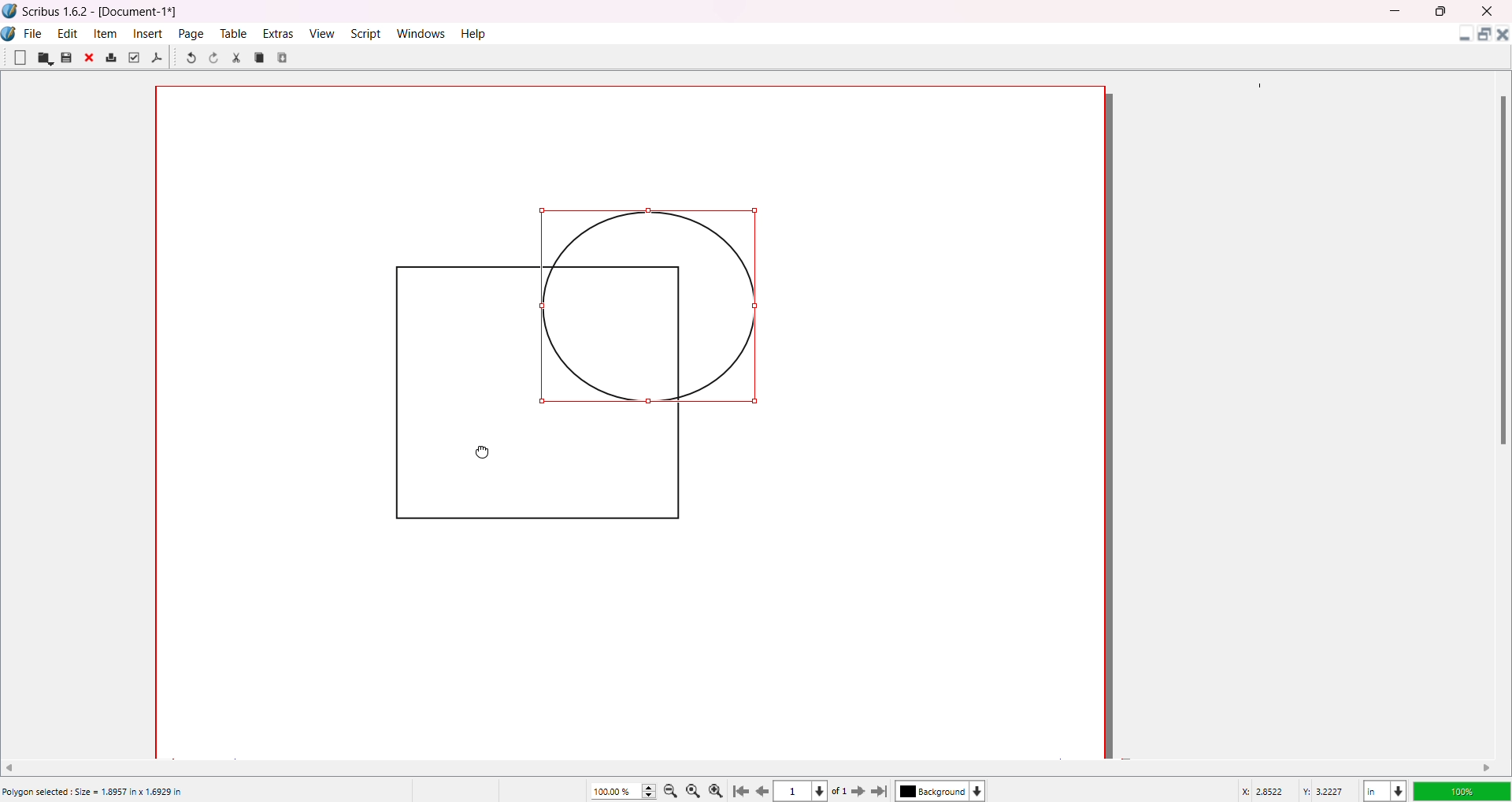 The width and height of the screenshot is (1512, 802). Describe the element at coordinates (190, 59) in the screenshot. I see `Undo` at that location.